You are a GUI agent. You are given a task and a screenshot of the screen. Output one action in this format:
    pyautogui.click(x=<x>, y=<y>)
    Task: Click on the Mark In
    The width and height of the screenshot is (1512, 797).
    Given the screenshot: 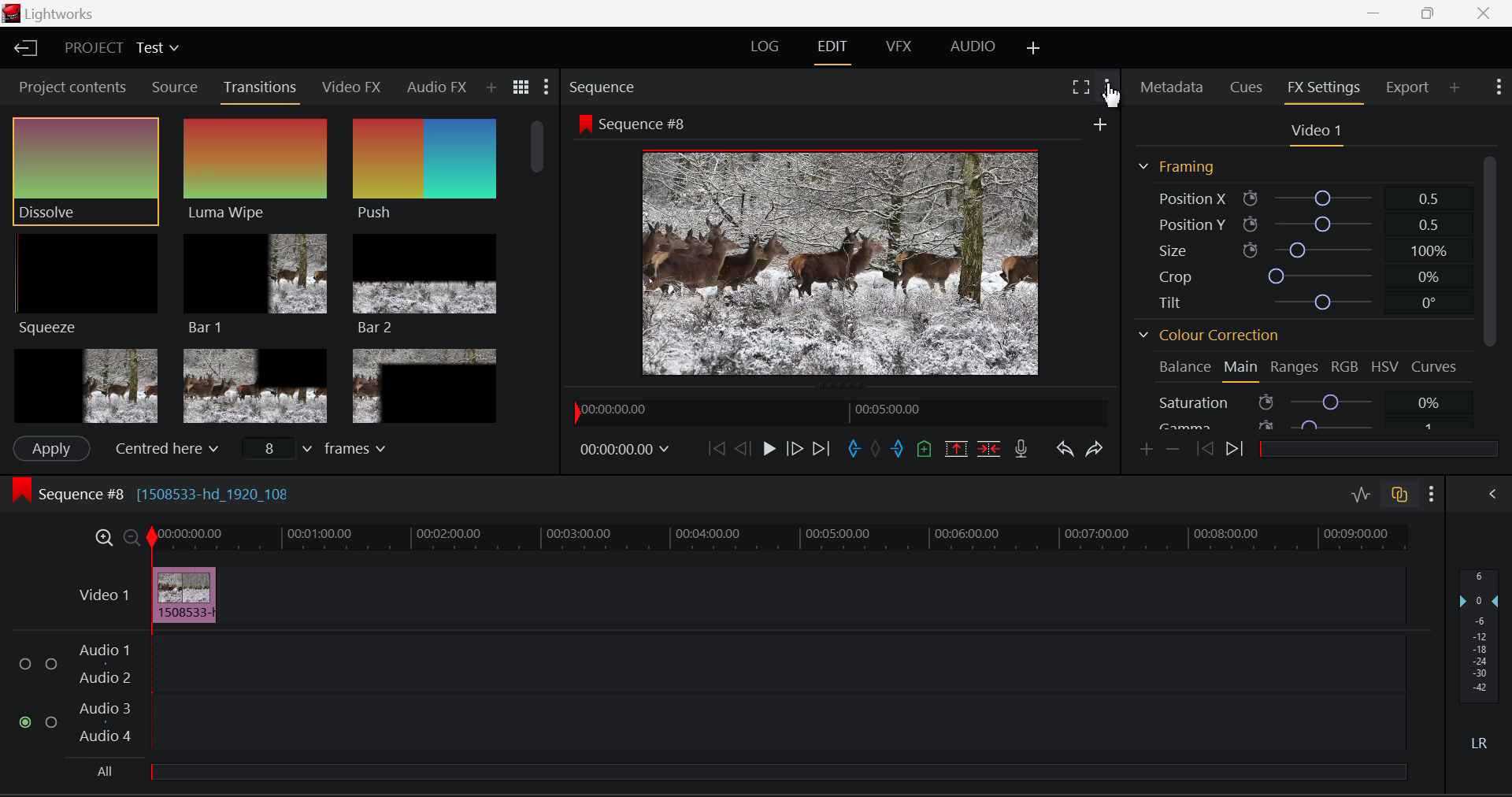 What is the action you would take?
    pyautogui.click(x=852, y=450)
    